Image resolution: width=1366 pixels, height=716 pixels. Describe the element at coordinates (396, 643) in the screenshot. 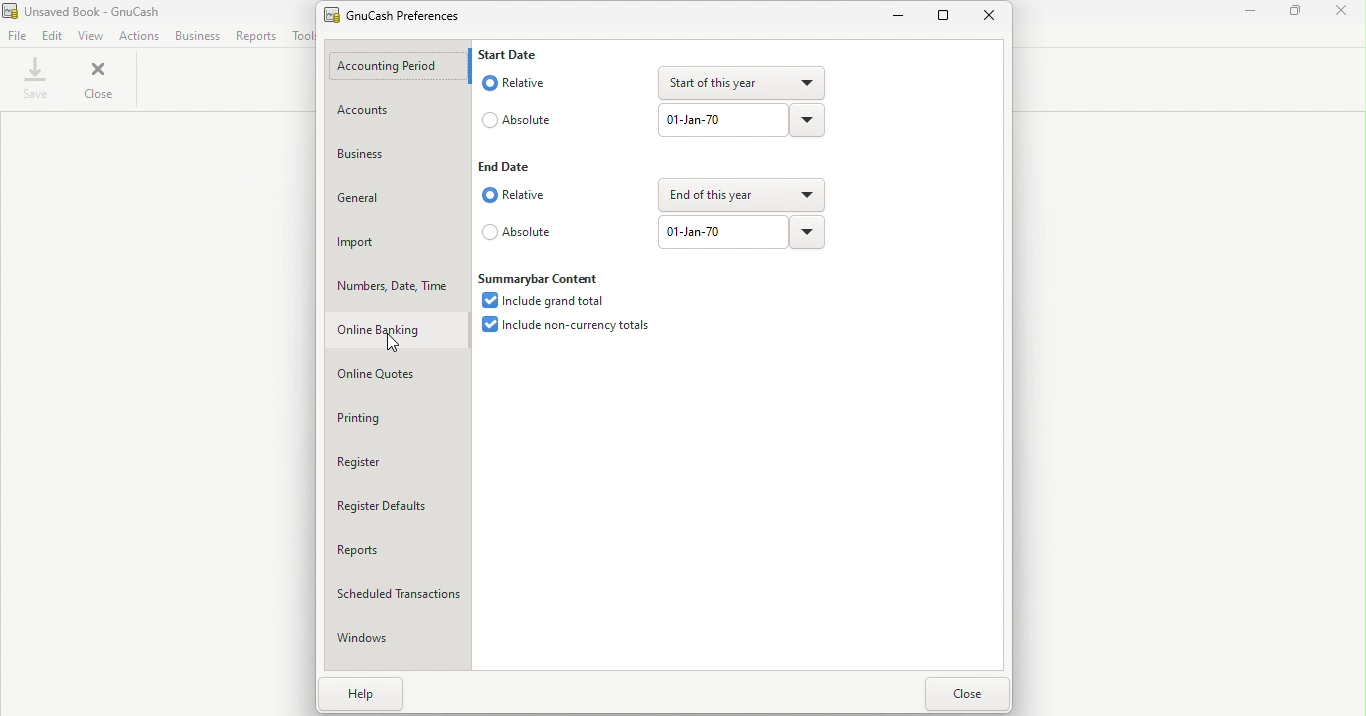

I see `Windows` at that location.